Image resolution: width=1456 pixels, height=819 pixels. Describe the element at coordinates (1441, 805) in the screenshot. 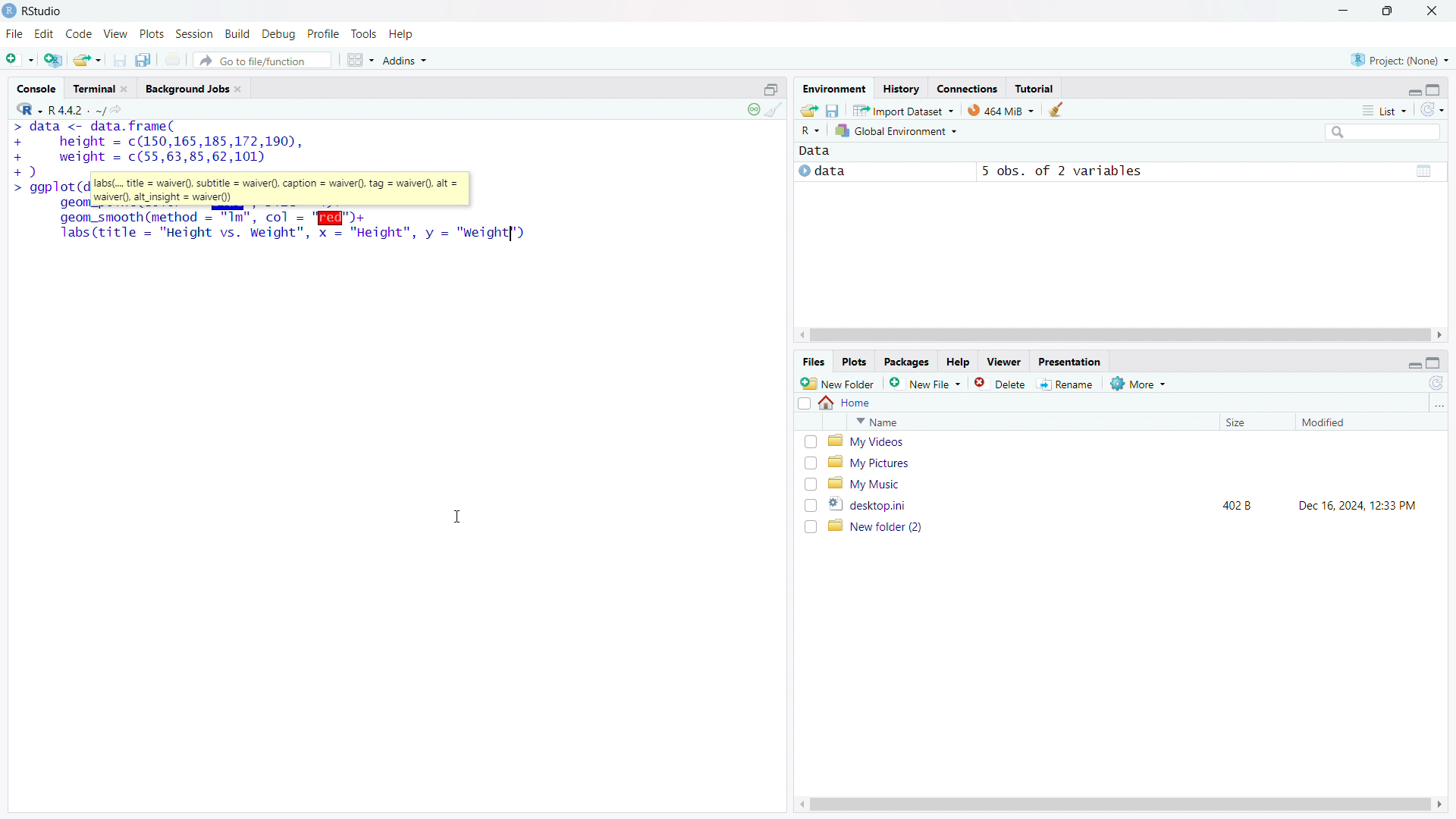

I see `scroll right` at that location.